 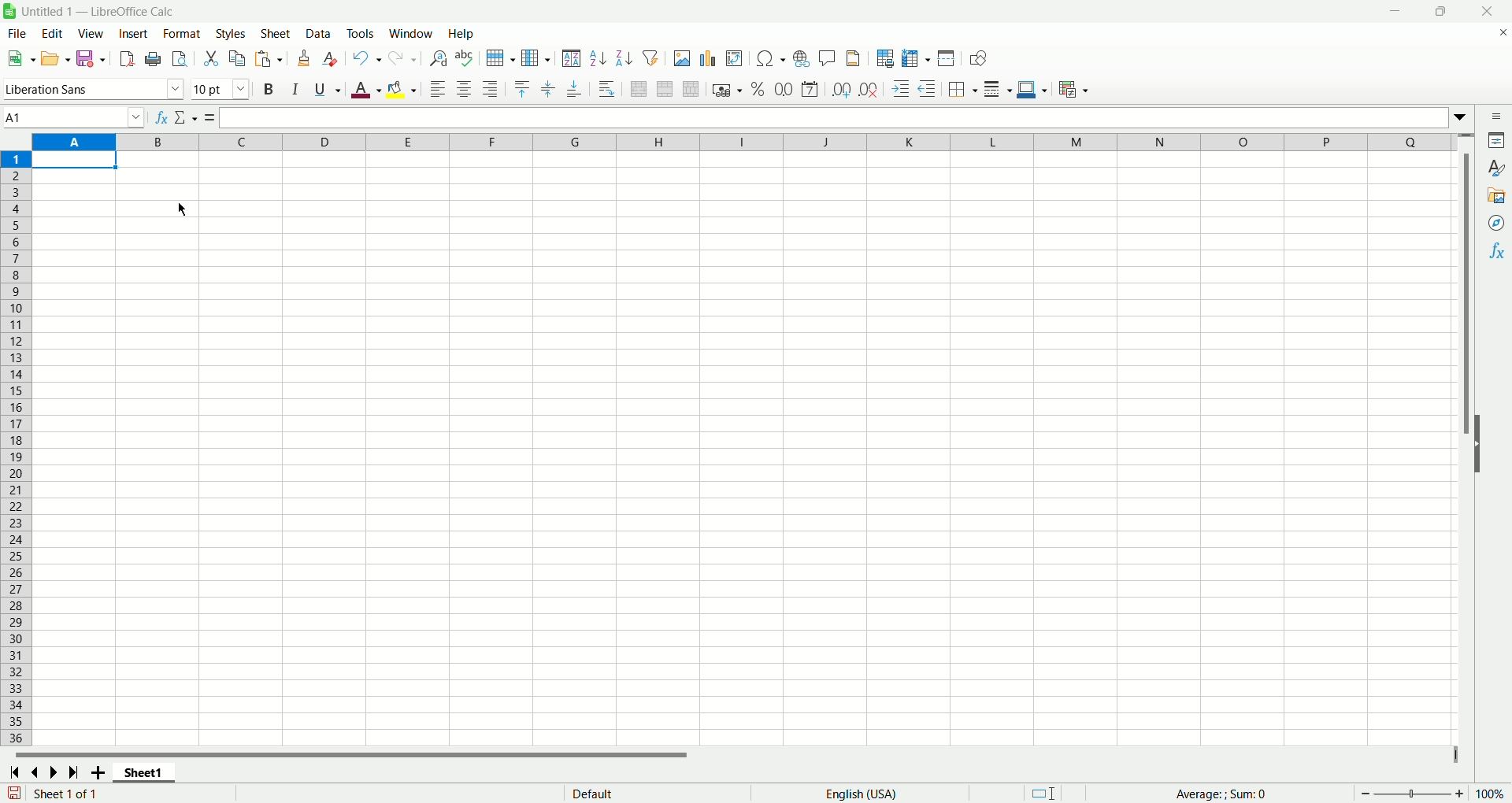 What do you see at coordinates (1493, 793) in the screenshot?
I see `zoom percent` at bounding box center [1493, 793].